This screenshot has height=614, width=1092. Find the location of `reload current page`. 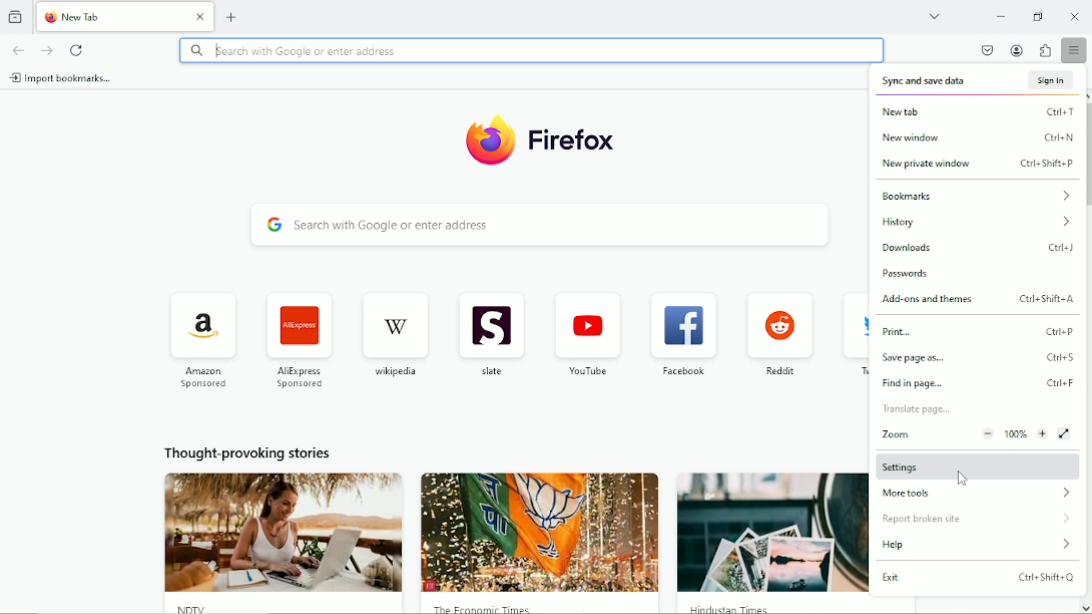

reload current page is located at coordinates (77, 49).